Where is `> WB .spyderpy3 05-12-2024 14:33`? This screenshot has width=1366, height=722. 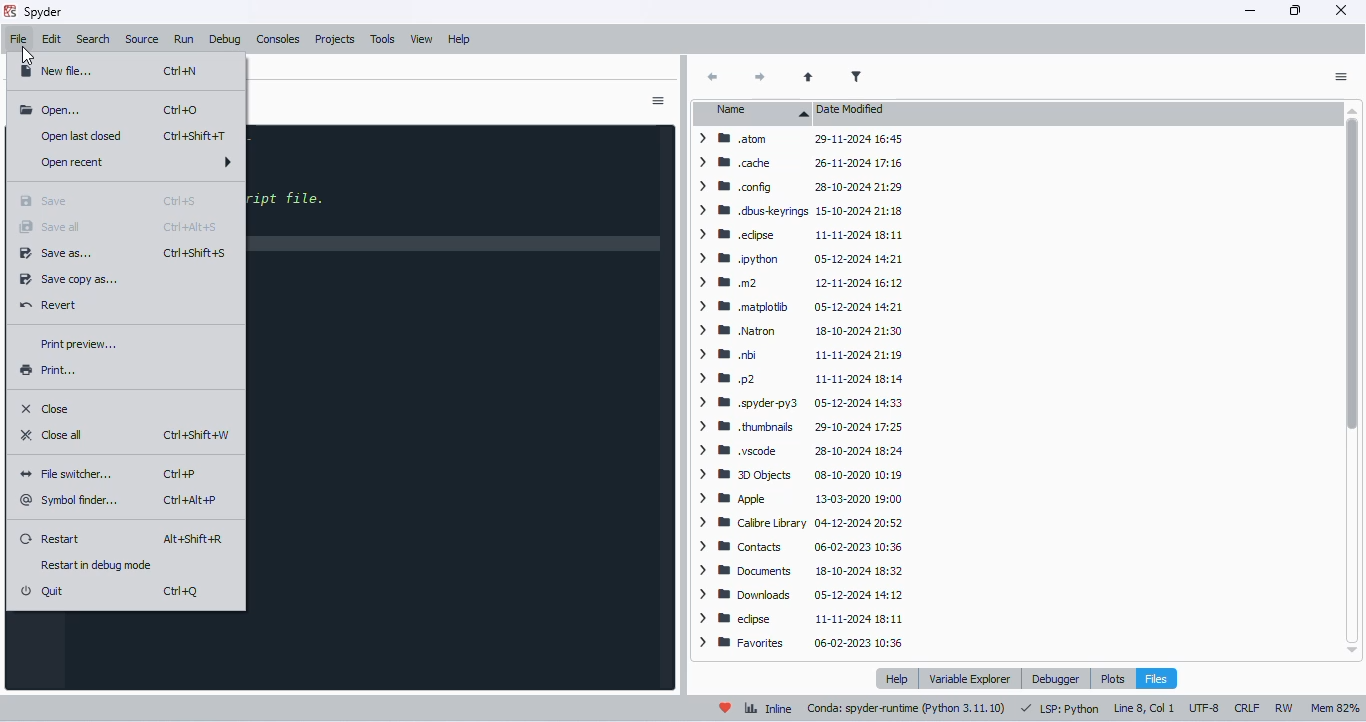 > WB .spyderpy3 05-12-2024 14:33 is located at coordinates (798, 404).